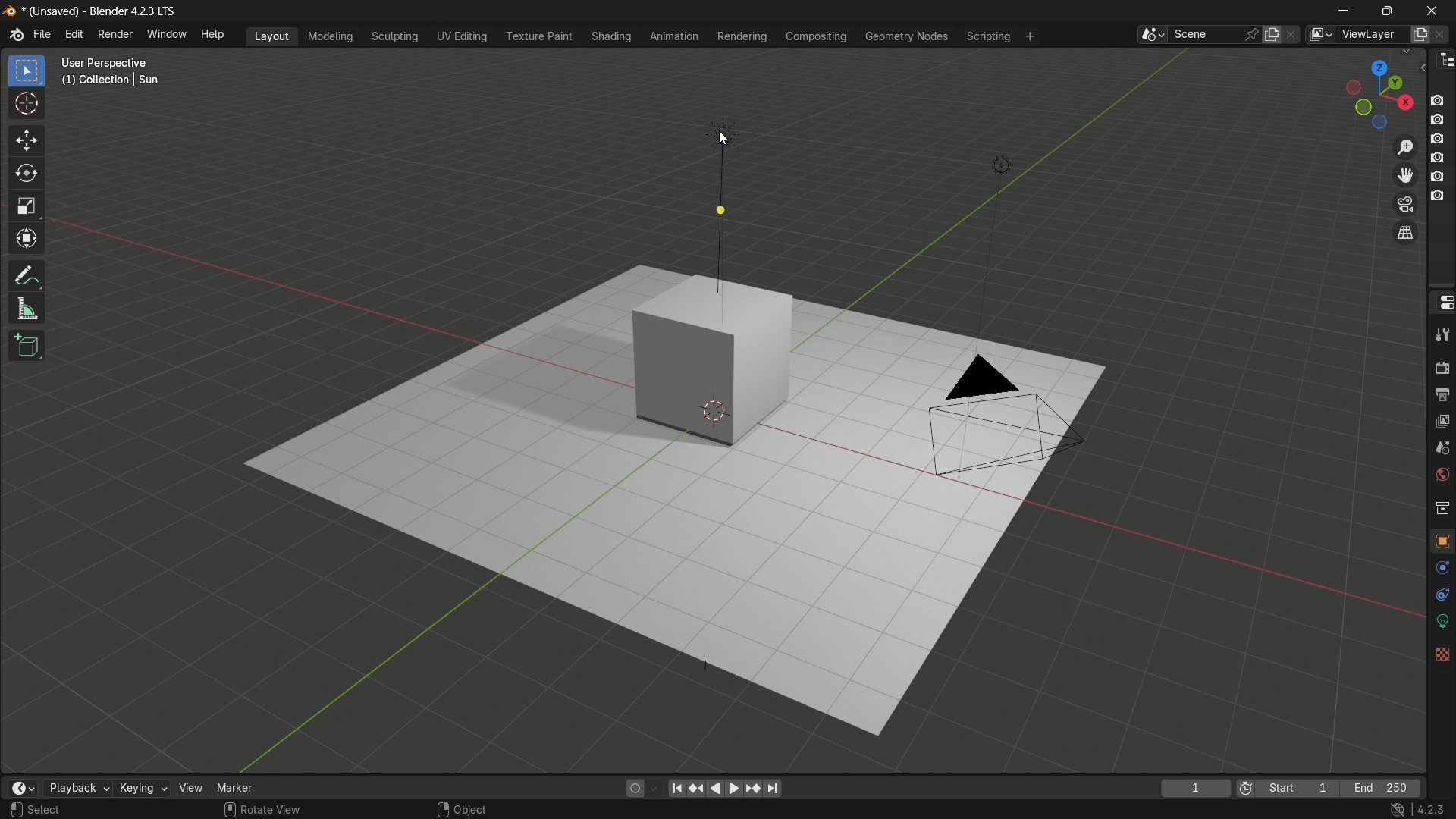 This screenshot has height=819, width=1456. I want to click on camera, so click(1002, 413).